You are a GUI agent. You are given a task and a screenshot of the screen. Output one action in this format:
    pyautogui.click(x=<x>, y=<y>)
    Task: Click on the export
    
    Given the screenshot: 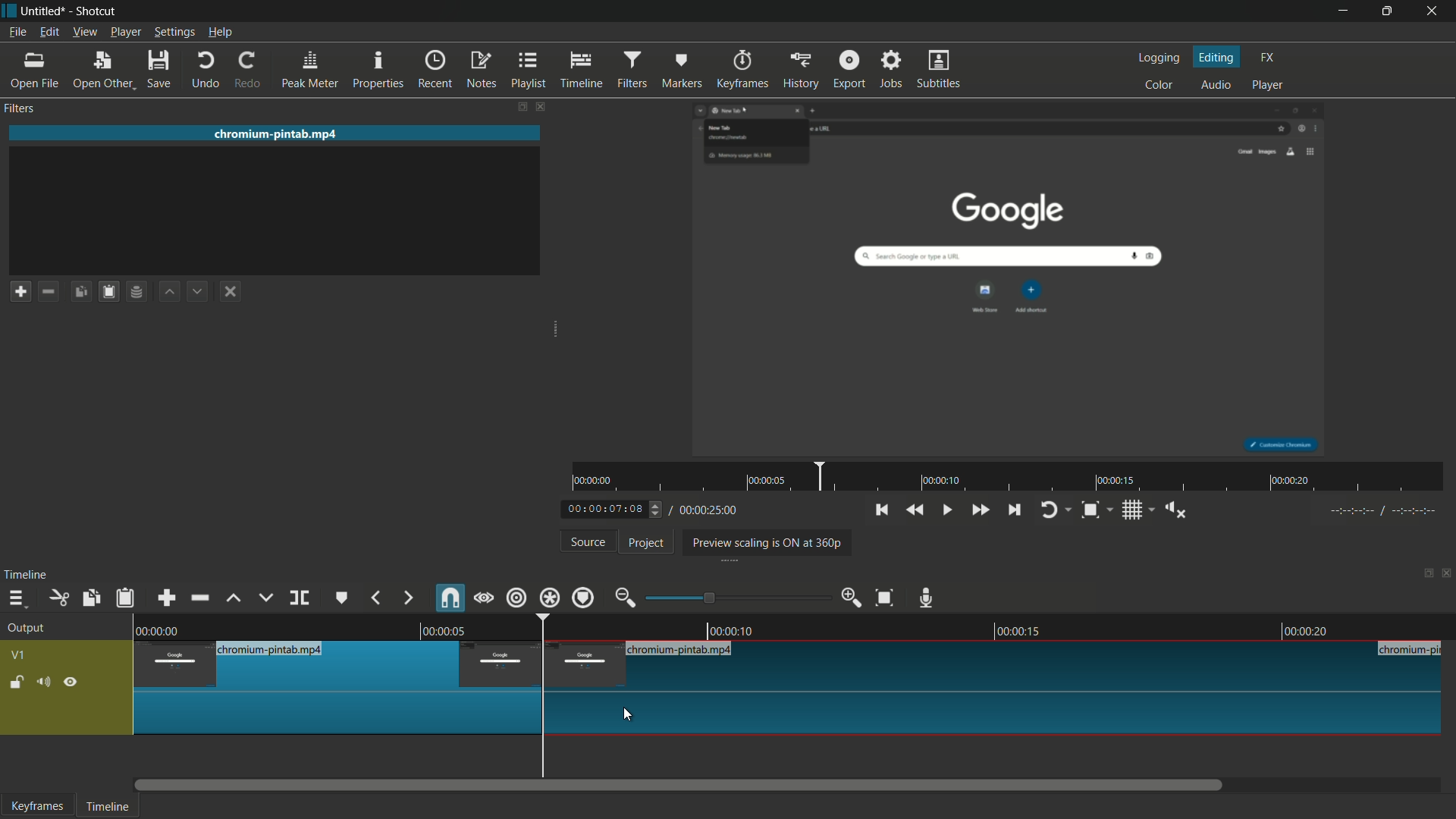 What is the action you would take?
    pyautogui.click(x=849, y=68)
    